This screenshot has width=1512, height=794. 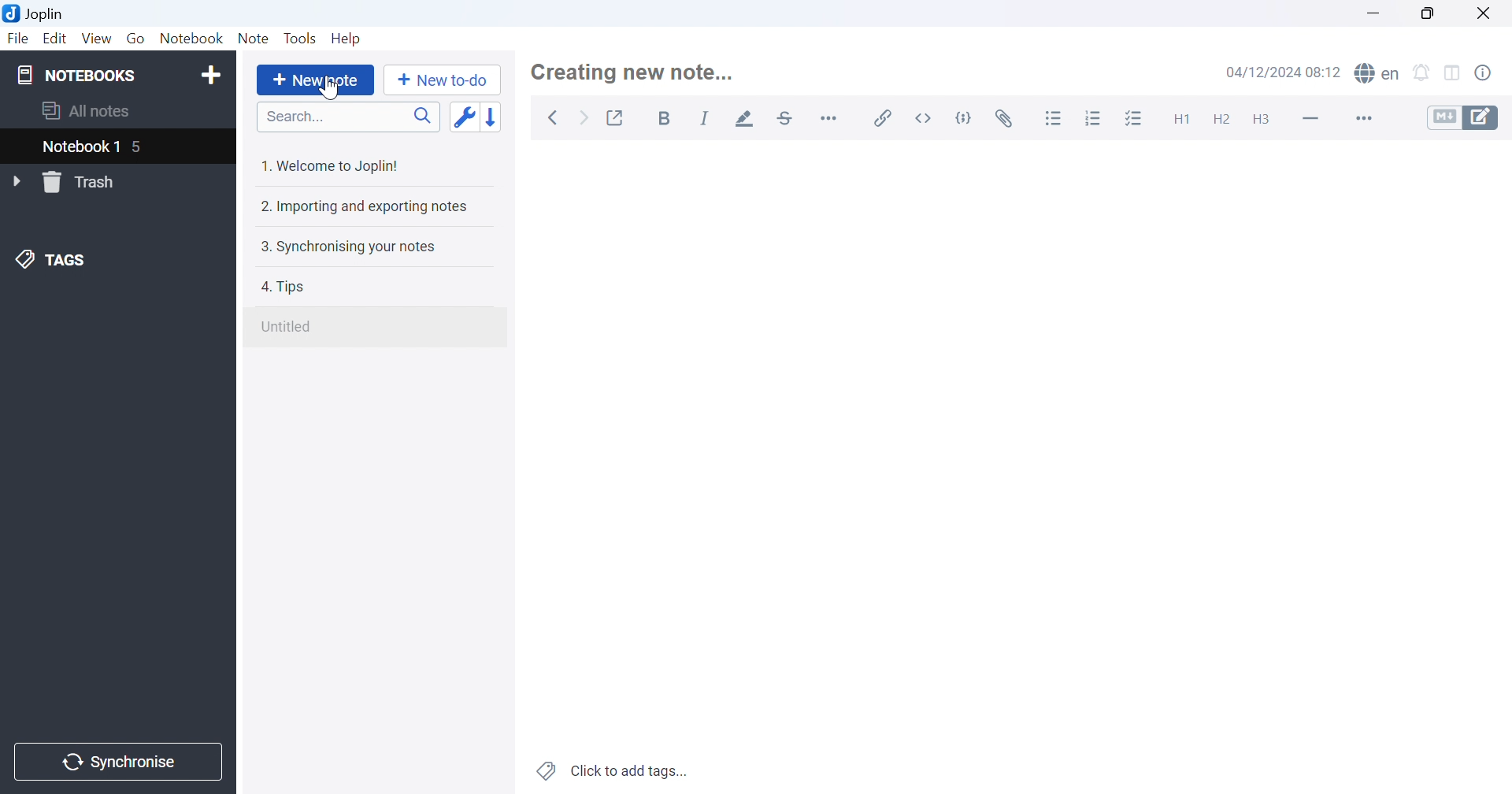 What do you see at coordinates (254, 39) in the screenshot?
I see `Note` at bounding box center [254, 39].